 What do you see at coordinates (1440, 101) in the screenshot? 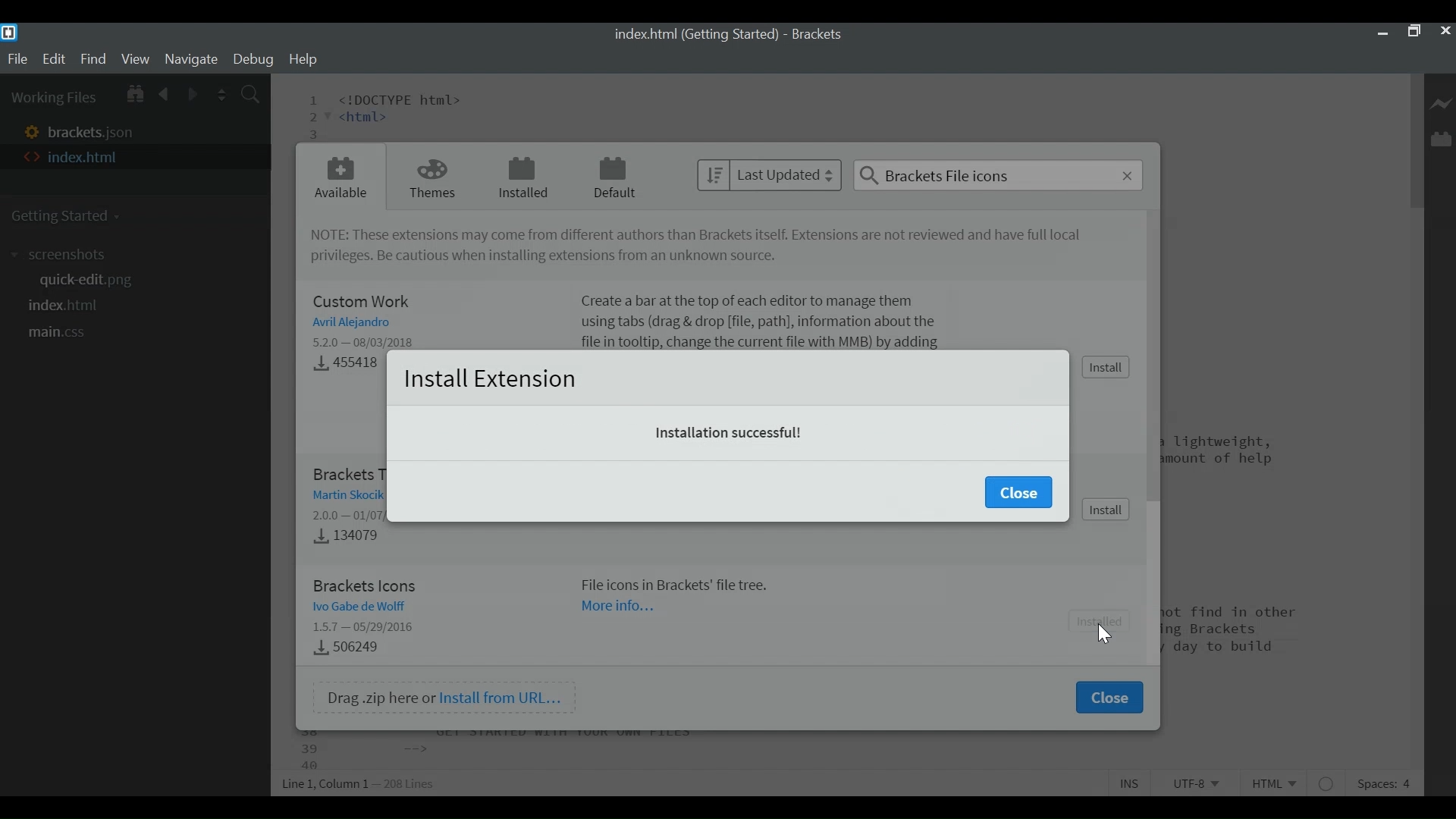
I see `Live Preview` at bounding box center [1440, 101].